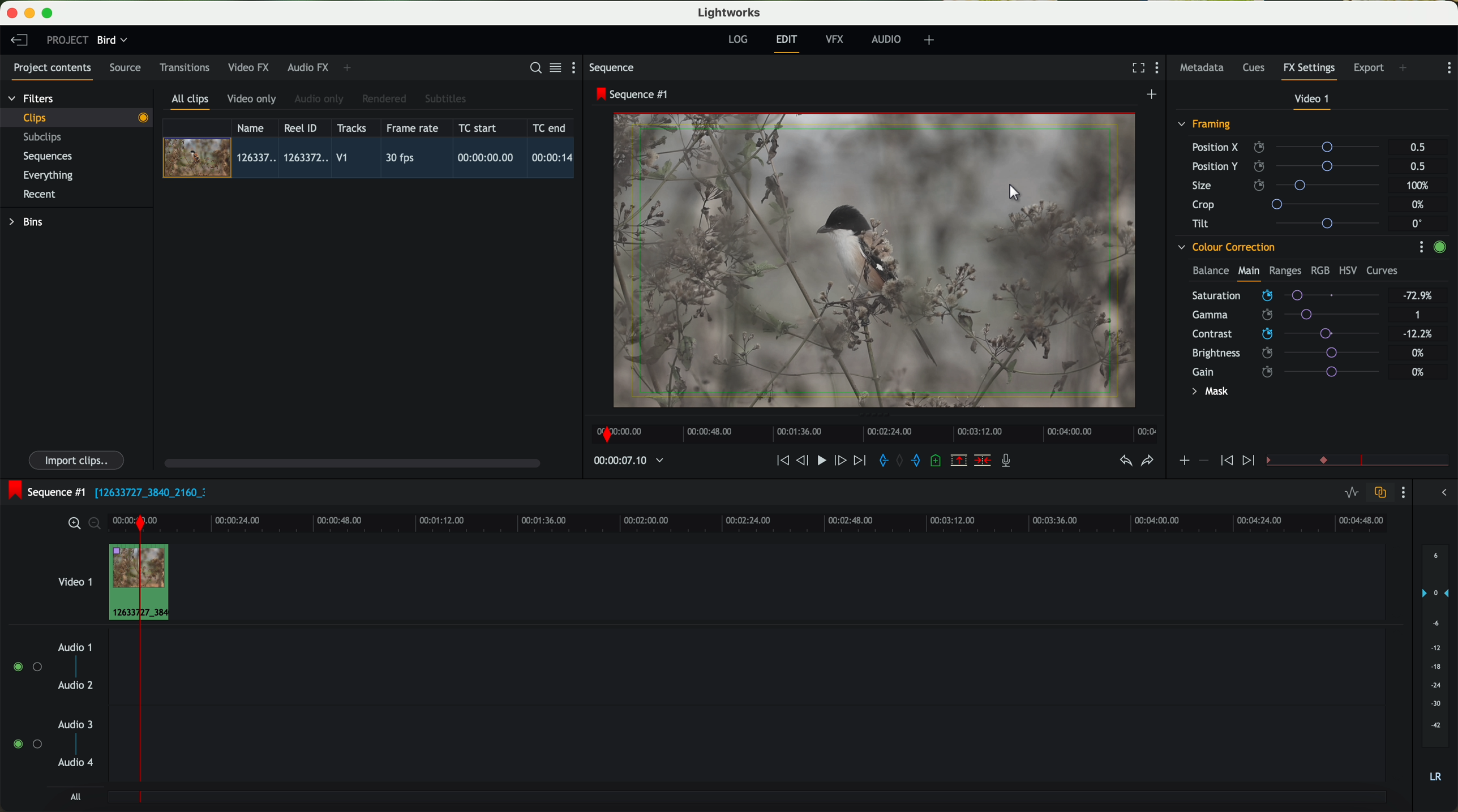  I want to click on brightness, so click(1295, 353).